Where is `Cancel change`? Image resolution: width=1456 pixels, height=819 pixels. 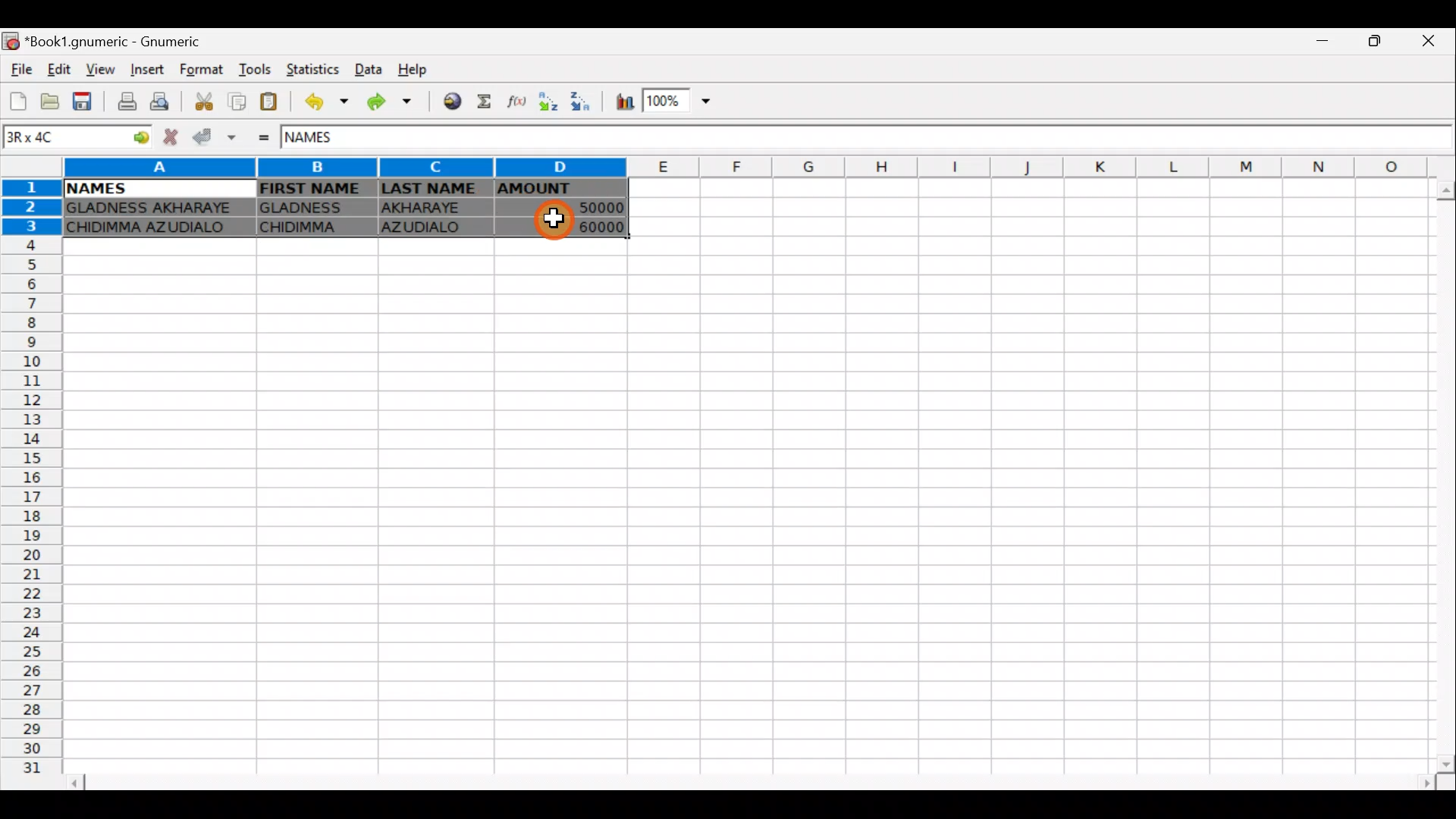
Cancel change is located at coordinates (168, 138).